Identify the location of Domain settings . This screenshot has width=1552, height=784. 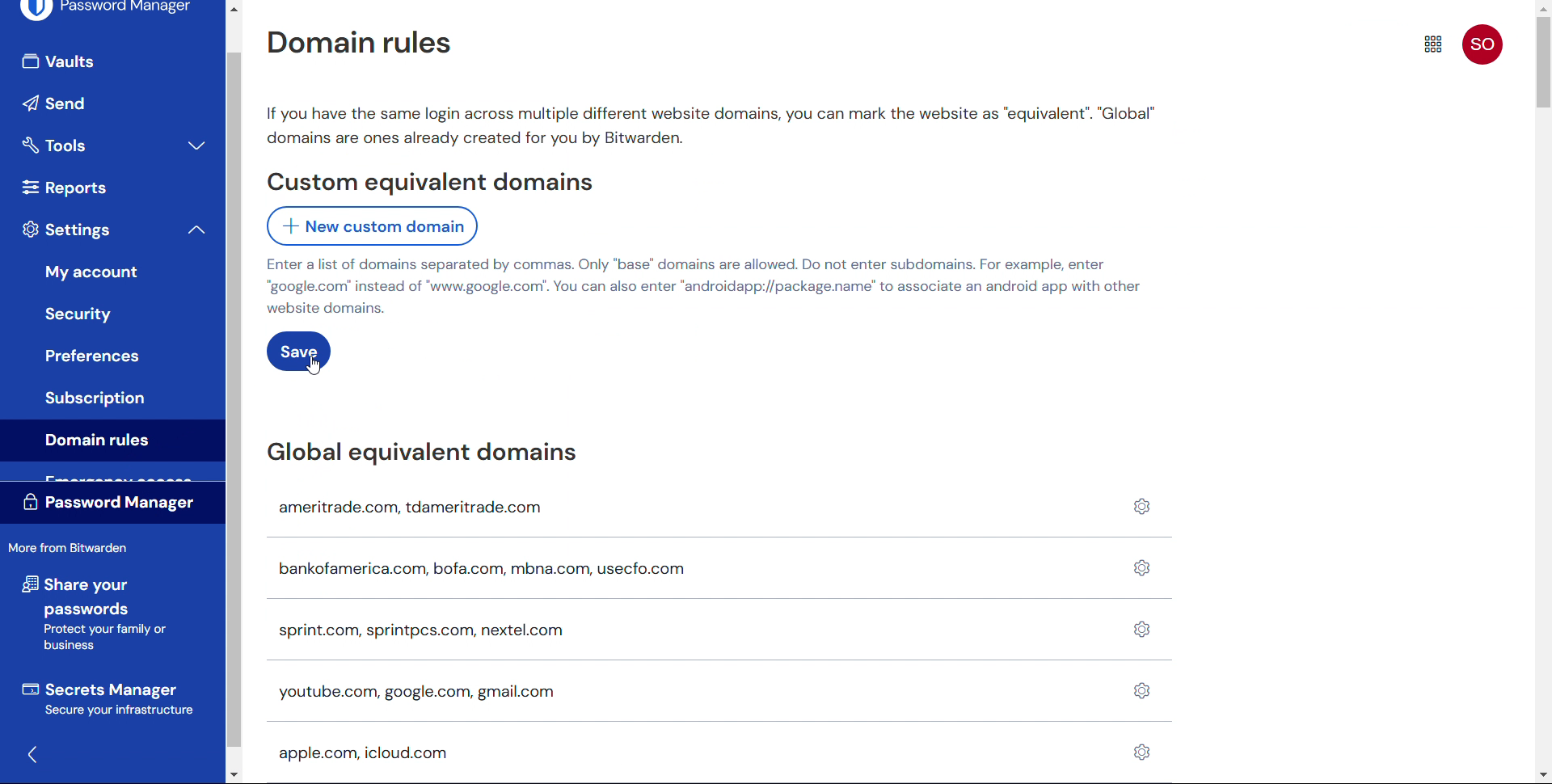
(1137, 634).